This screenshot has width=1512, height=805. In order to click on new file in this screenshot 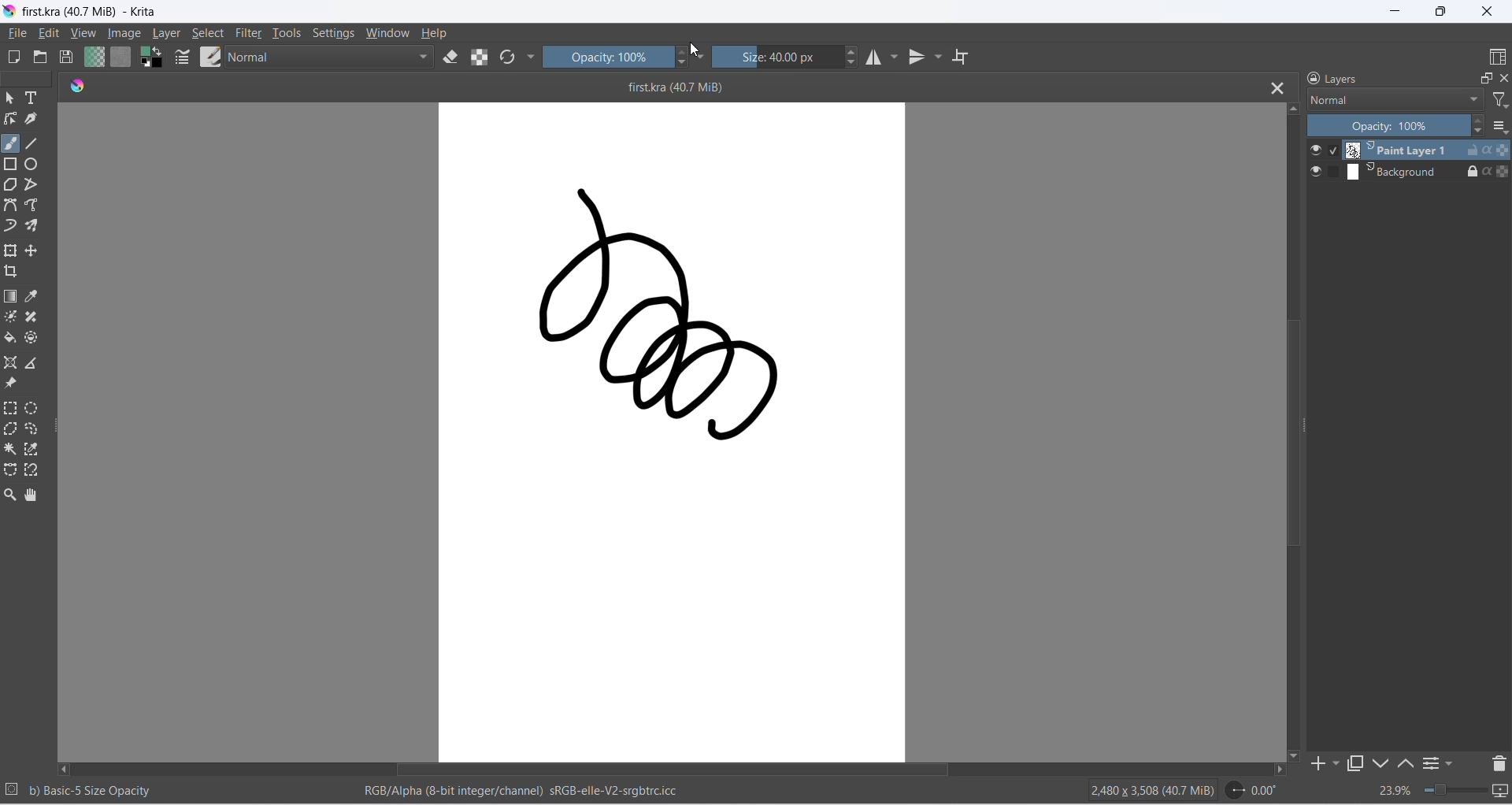, I will do `click(13, 57)`.